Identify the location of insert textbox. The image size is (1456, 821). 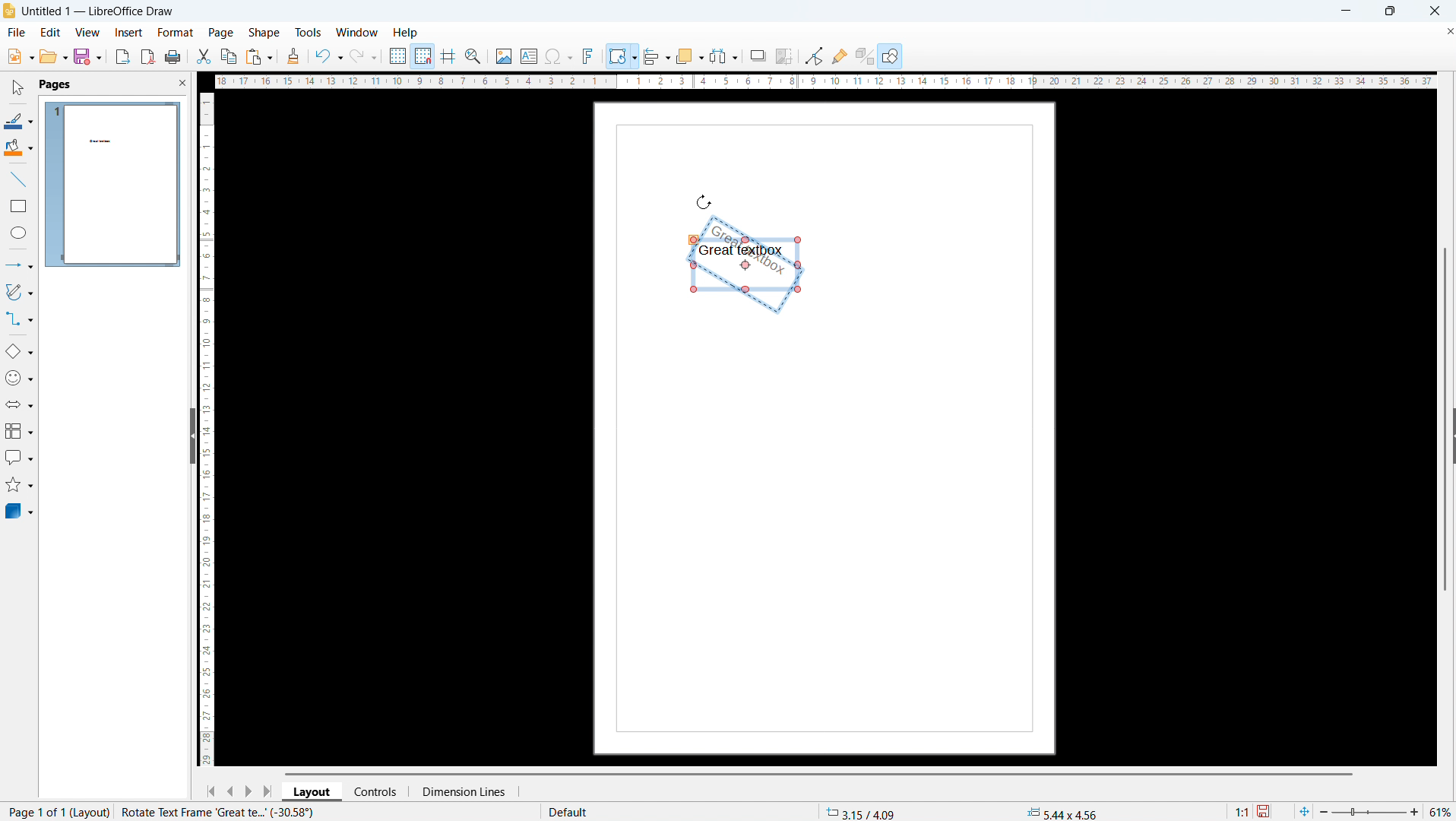
(529, 55).